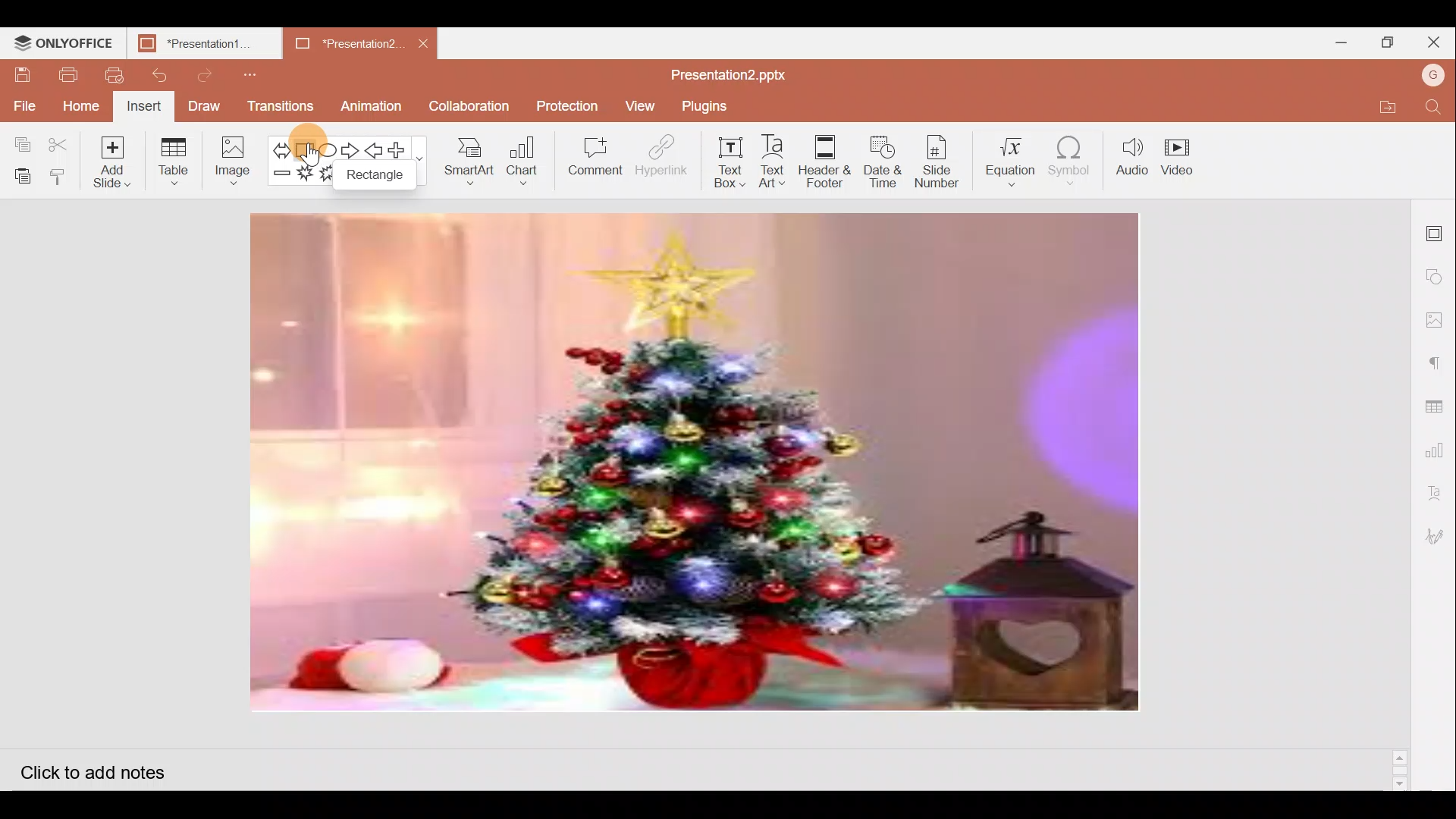 Image resolution: width=1456 pixels, height=819 pixels. Describe the element at coordinates (424, 42) in the screenshot. I see `Close document` at that location.